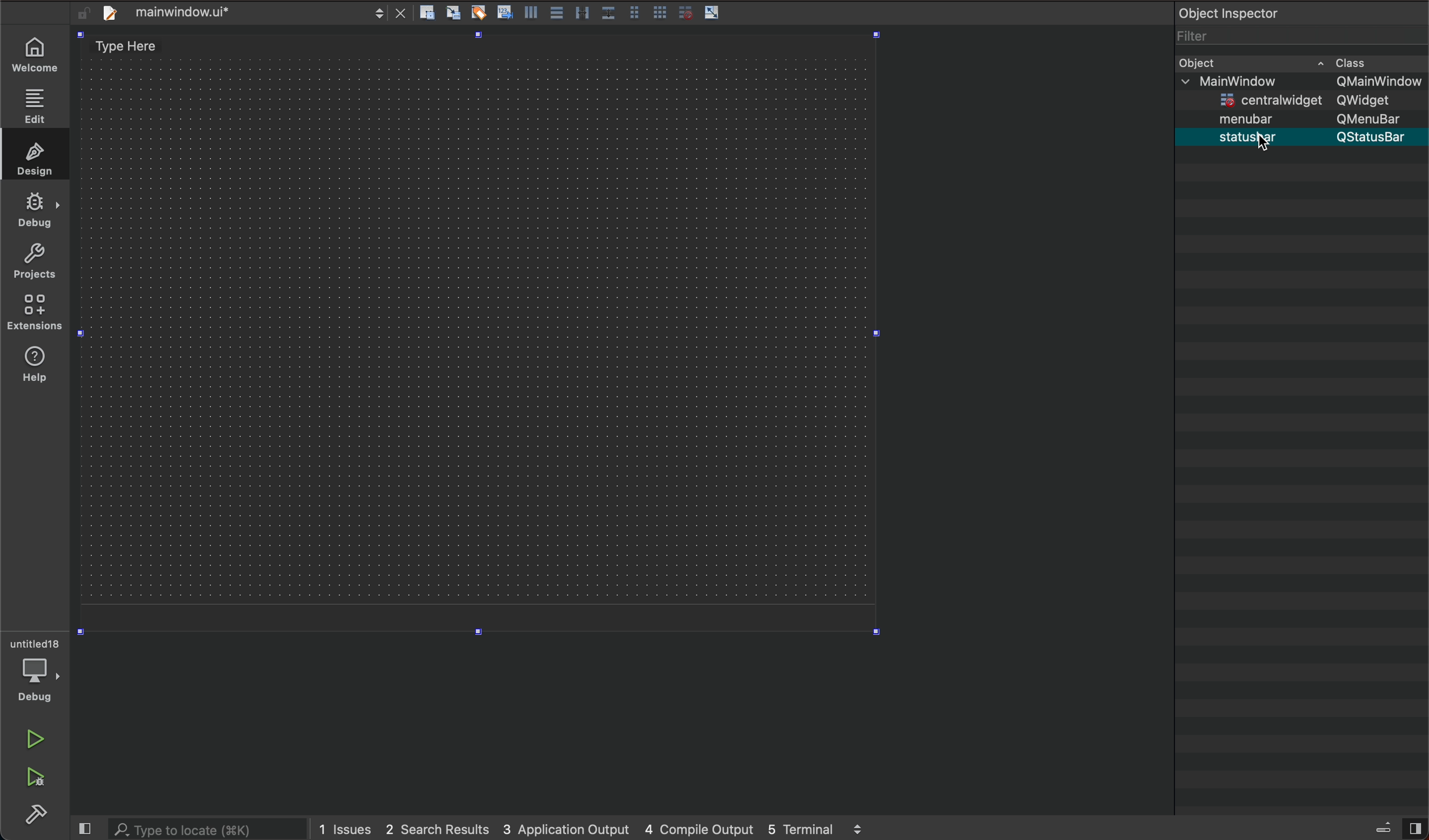 The image size is (1429, 840). Describe the element at coordinates (37, 363) in the screenshot. I see `extensions` at that location.